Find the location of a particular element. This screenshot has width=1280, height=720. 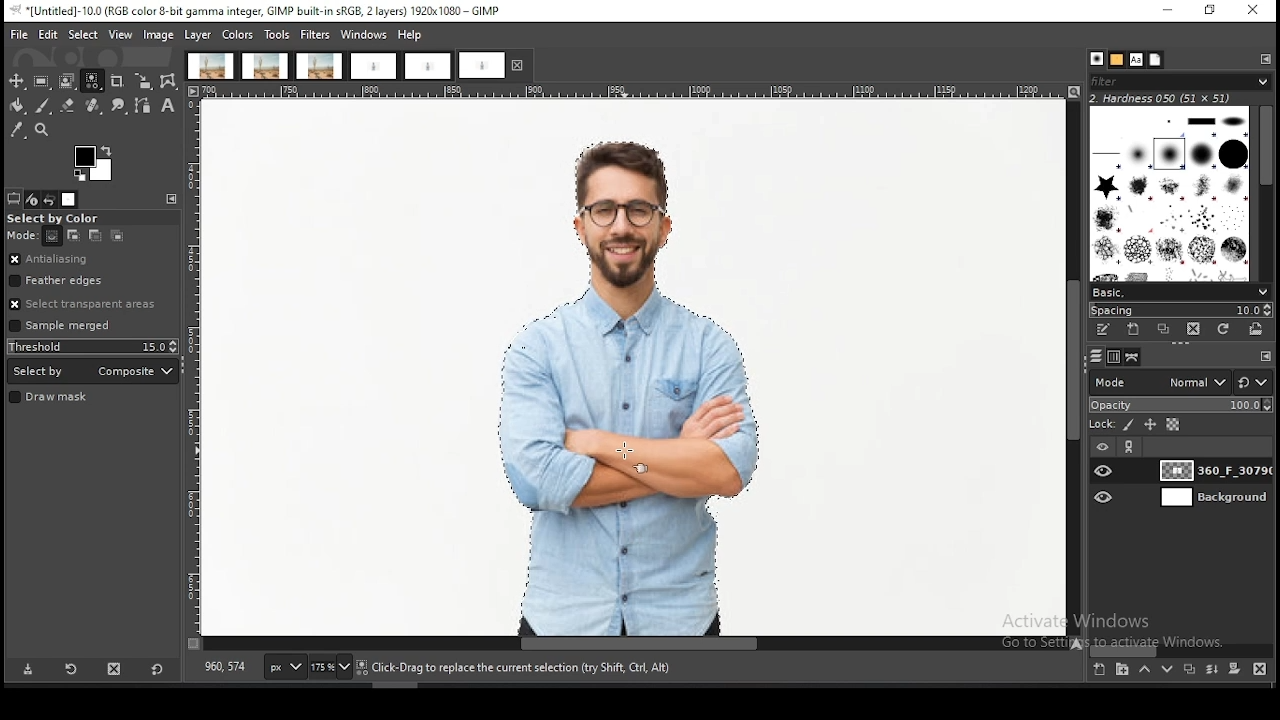

project tab is located at coordinates (495, 65).